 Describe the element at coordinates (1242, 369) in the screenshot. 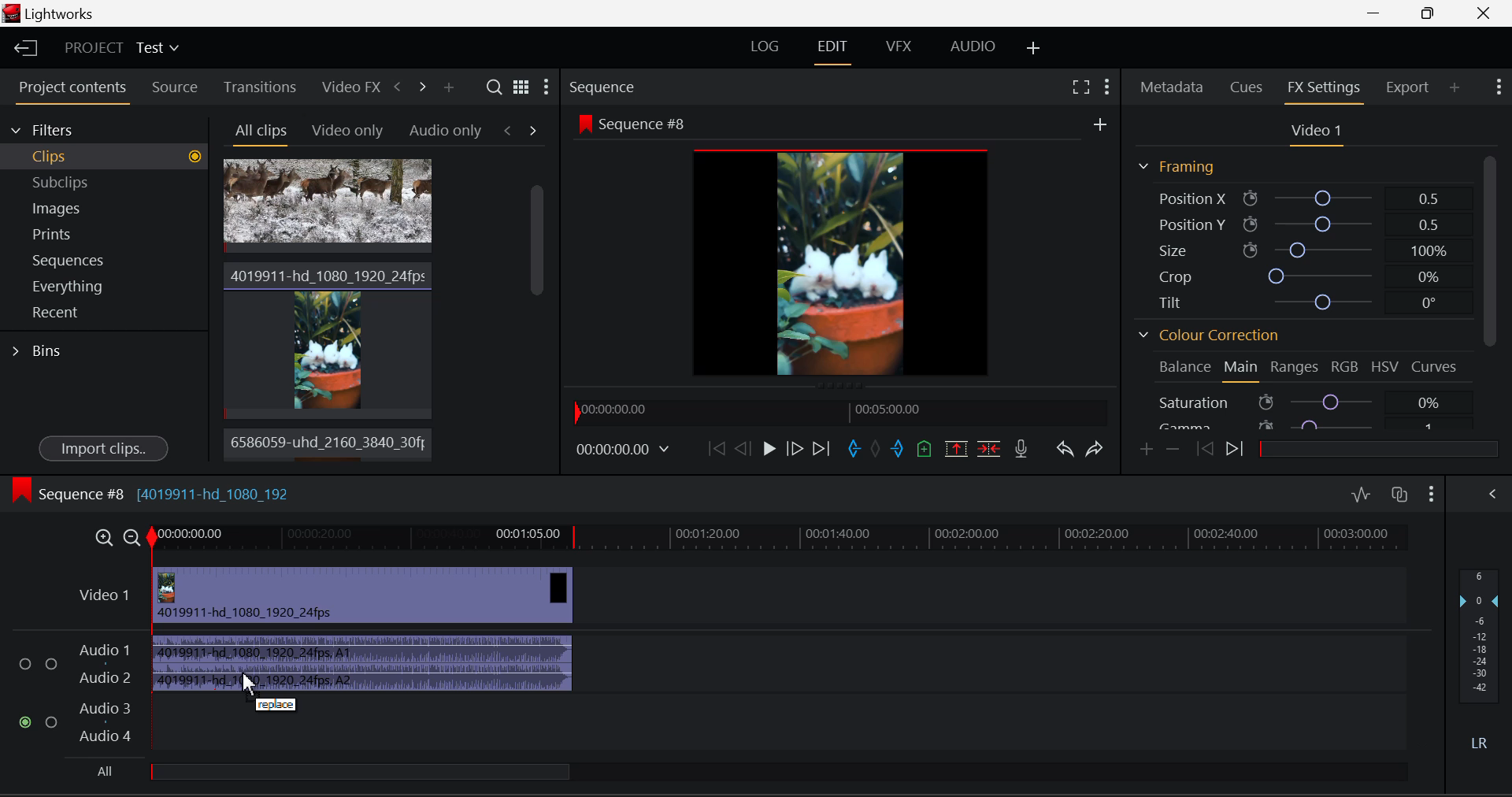

I see `Main Tab Open` at that location.